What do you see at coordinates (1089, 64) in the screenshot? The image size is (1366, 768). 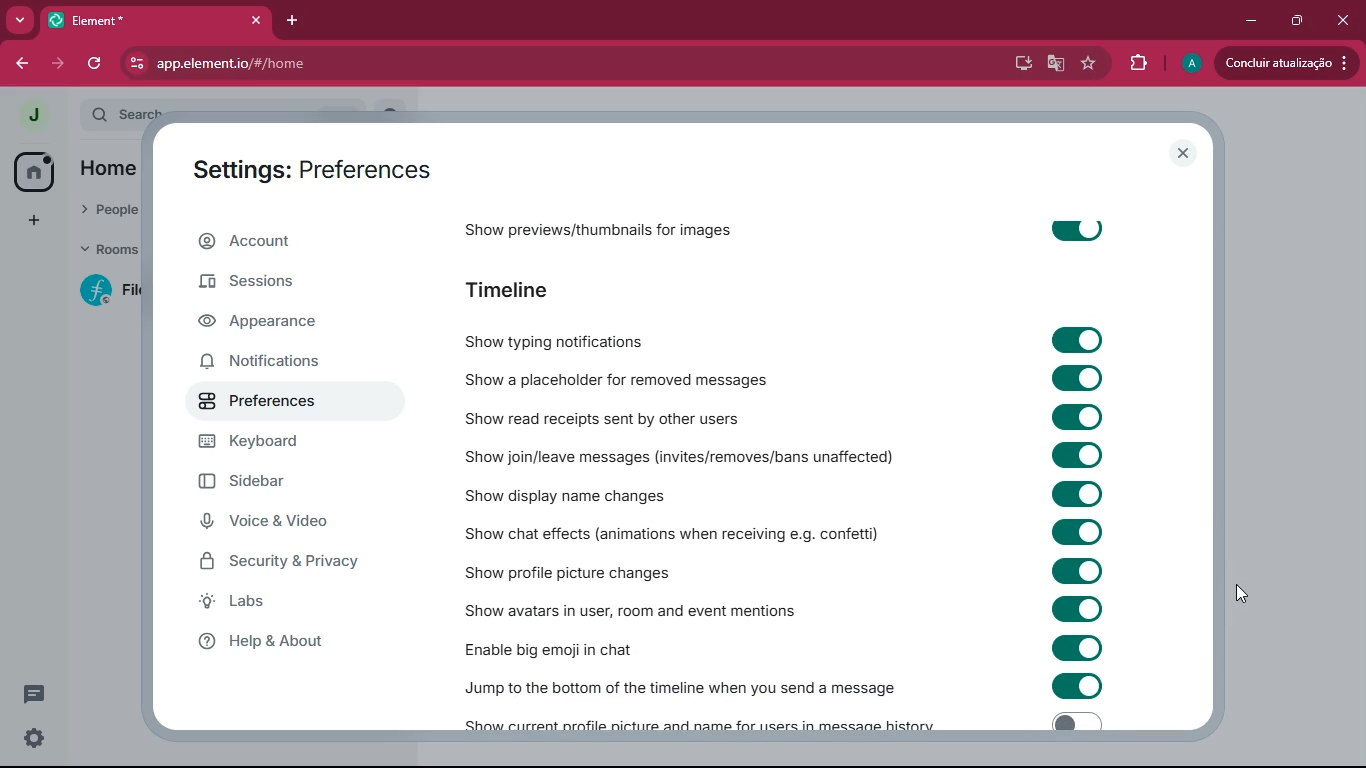 I see `favourite` at bounding box center [1089, 64].